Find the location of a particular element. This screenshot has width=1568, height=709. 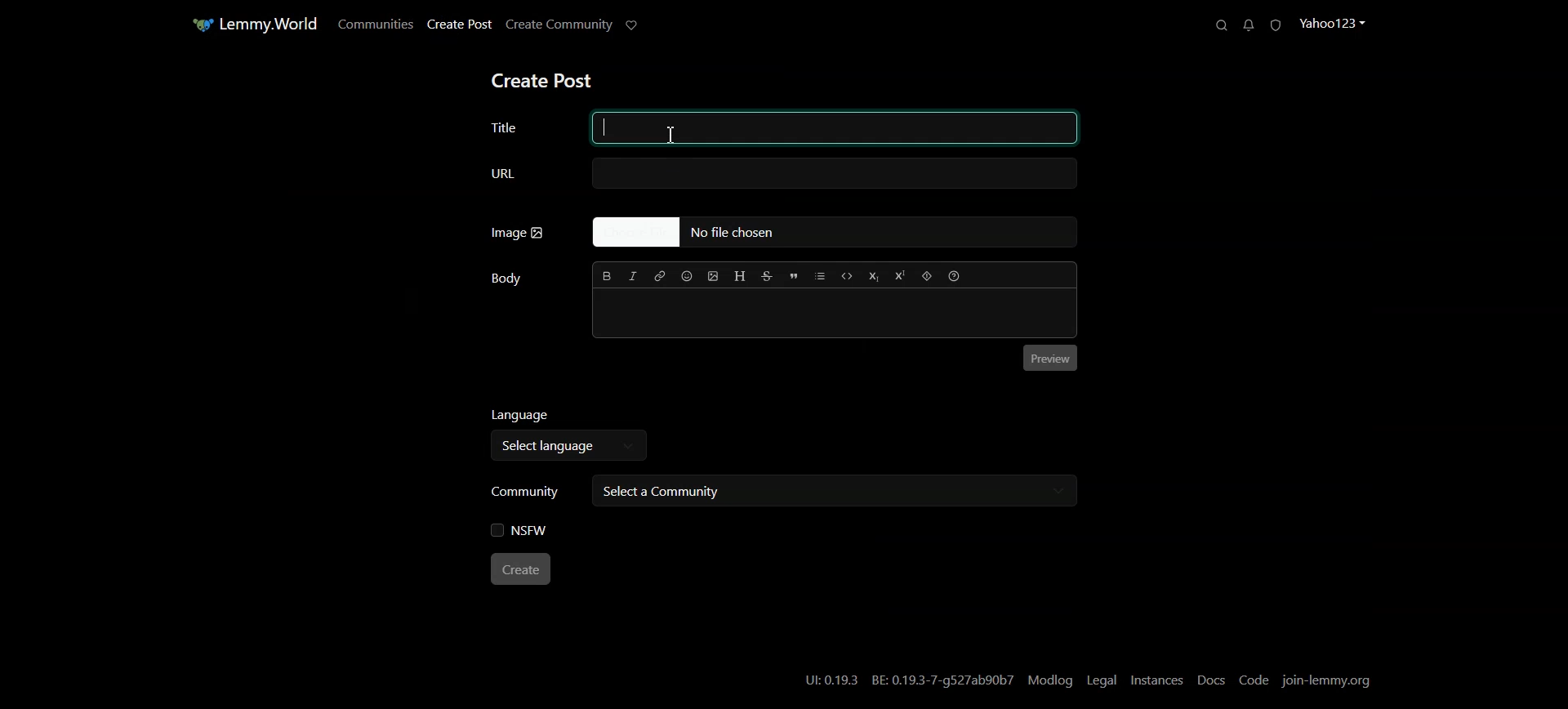

Code is located at coordinates (848, 275).